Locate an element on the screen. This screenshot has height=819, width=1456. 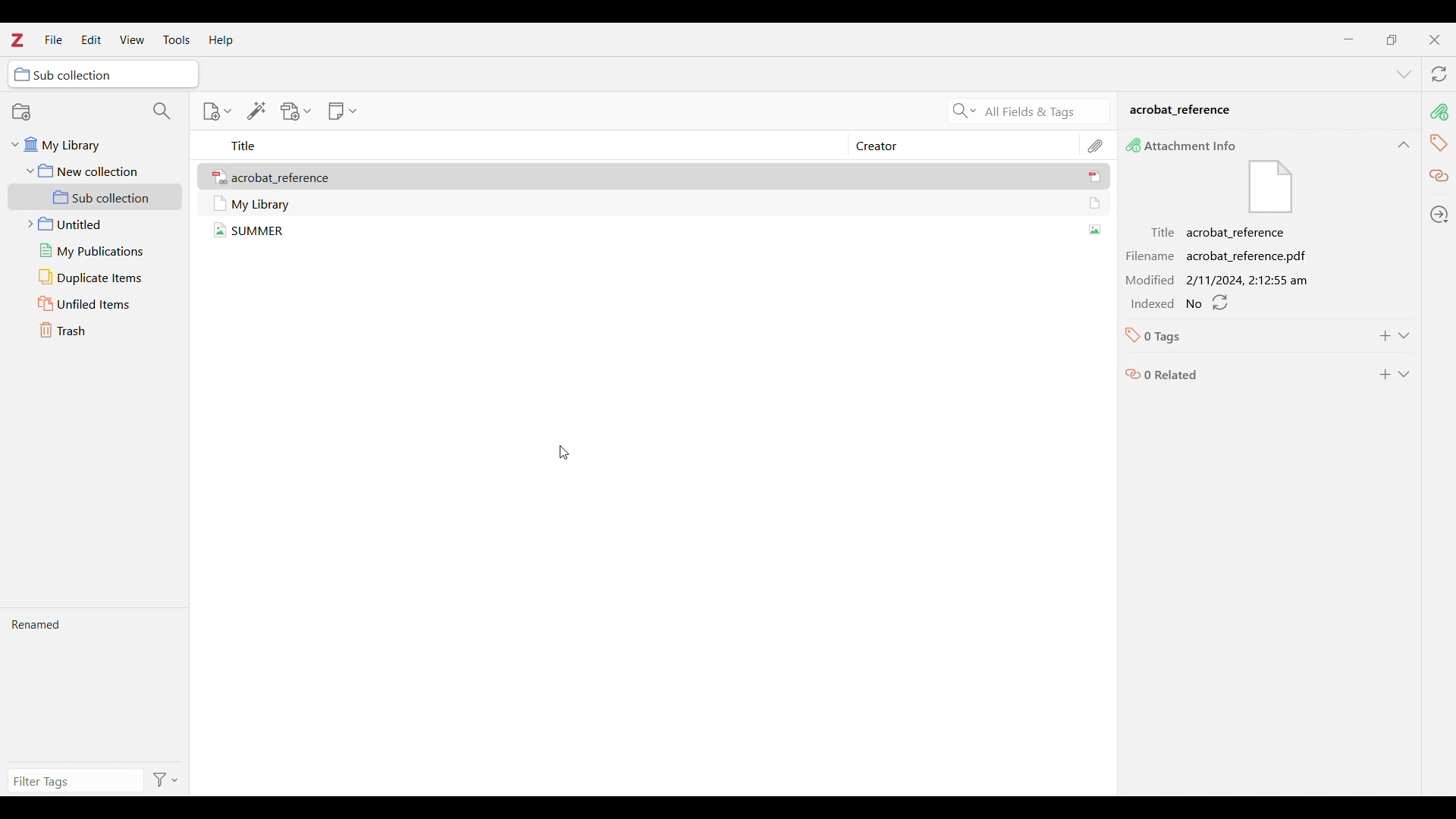
Minimize is located at coordinates (1348, 39).